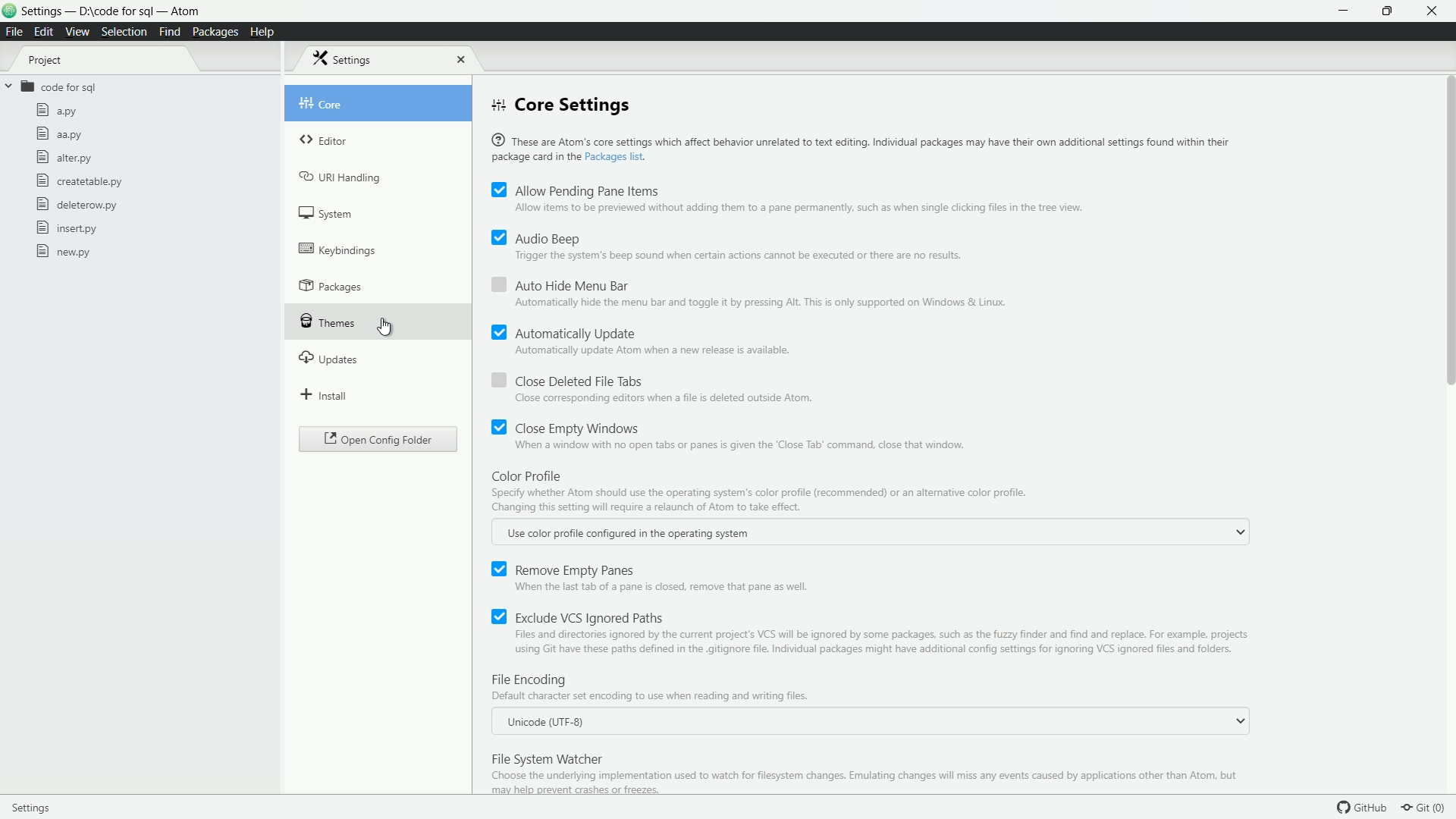 The image size is (1456, 819). Describe the element at coordinates (561, 332) in the screenshot. I see `automatically update` at that location.